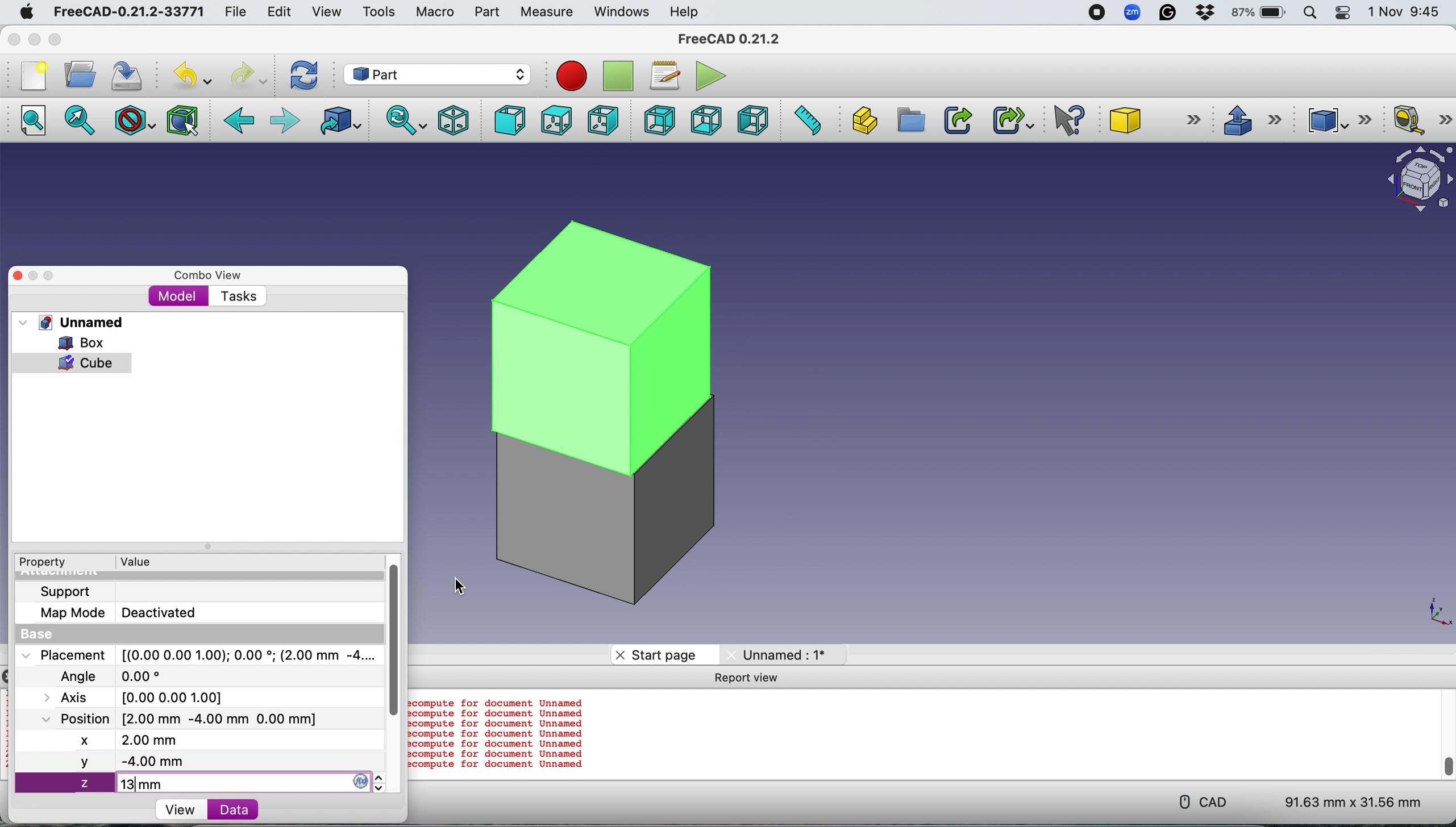 This screenshot has height=827, width=1456. What do you see at coordinates (1406, 12) in the screenshot?
I see `1 Nov 9:45` at bounding box center [1406, 12].